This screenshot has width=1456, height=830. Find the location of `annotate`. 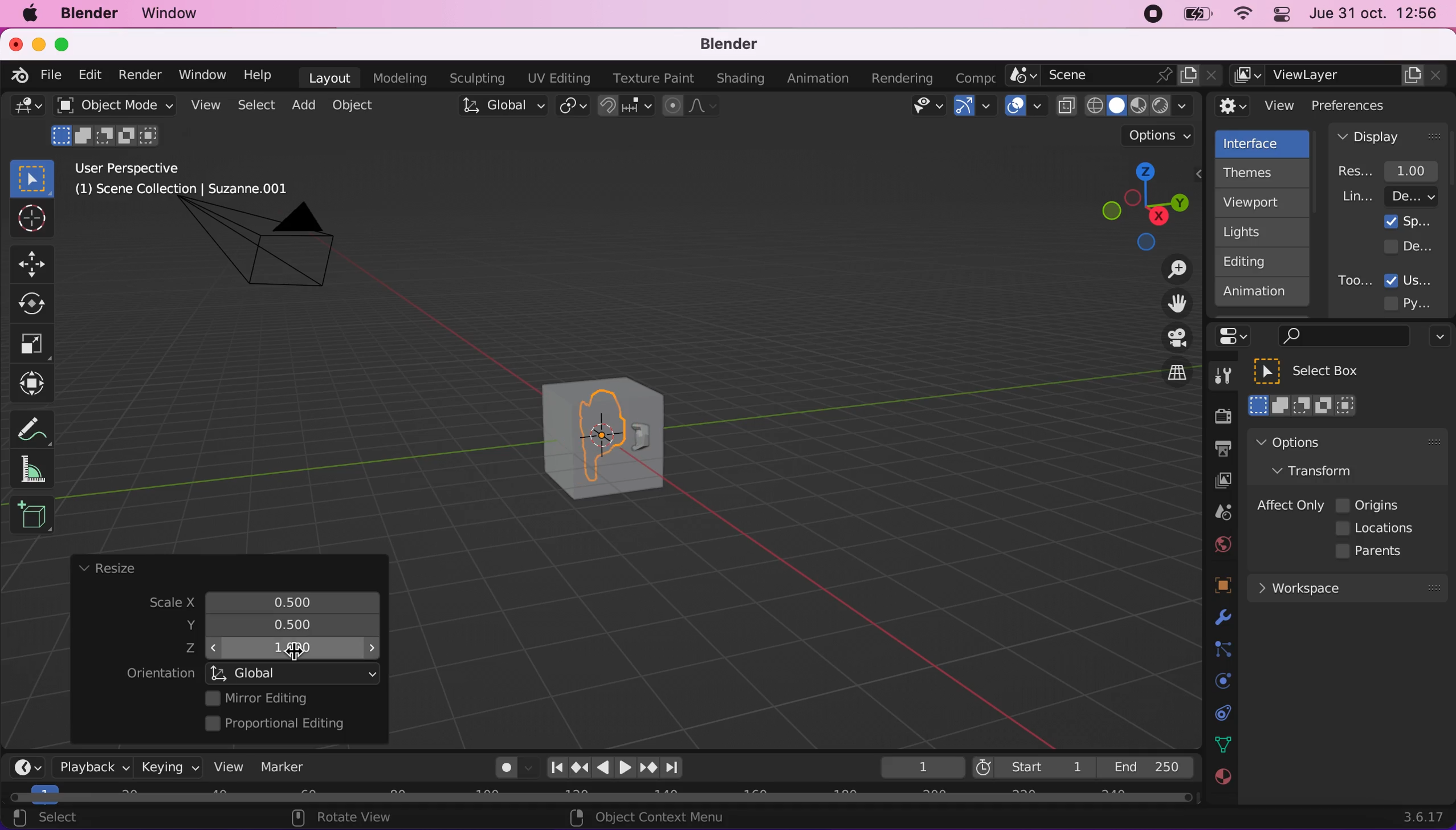

annotate is located at coordinates (37, 426).